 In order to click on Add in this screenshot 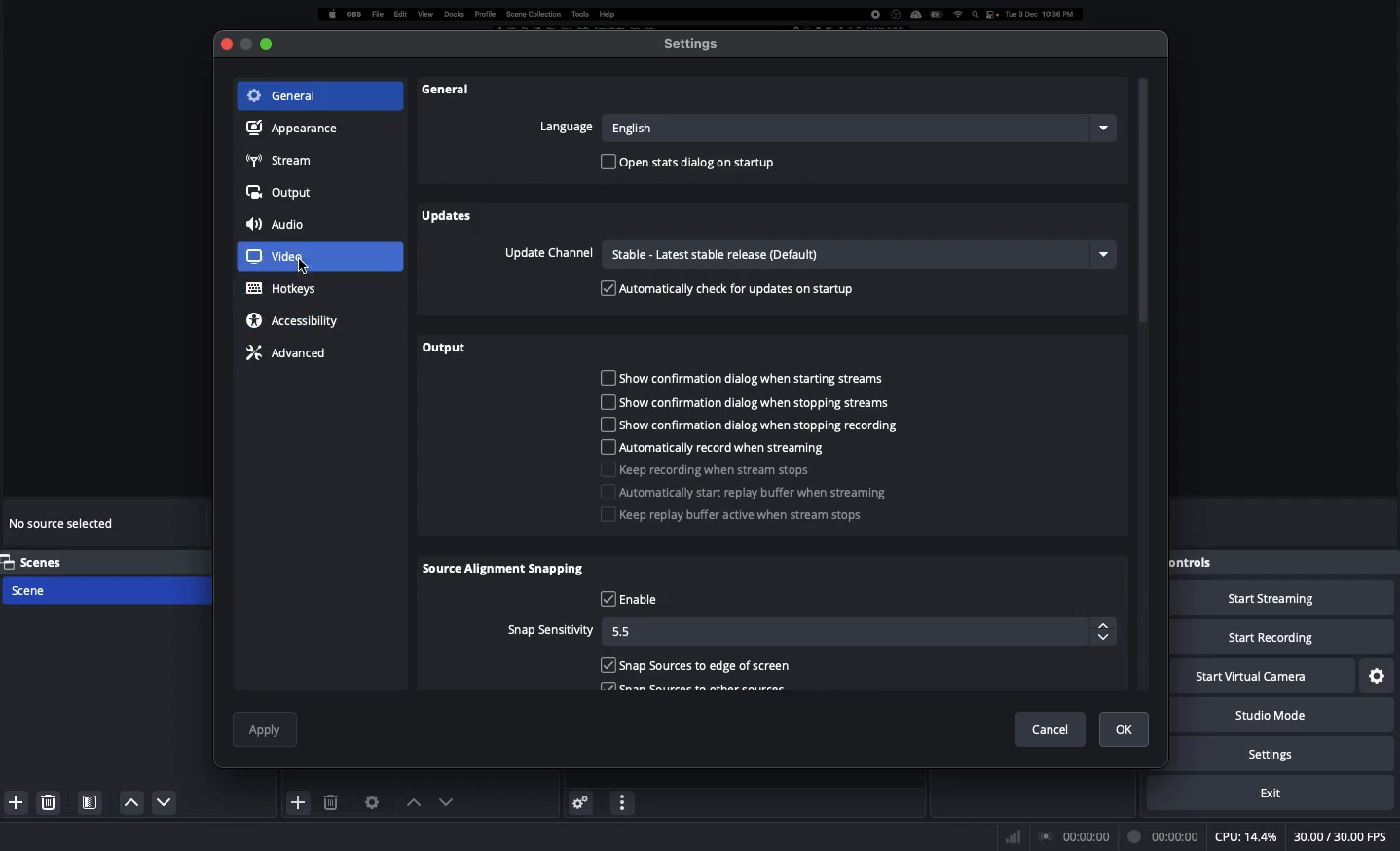, I will do `click(299, 801)`.